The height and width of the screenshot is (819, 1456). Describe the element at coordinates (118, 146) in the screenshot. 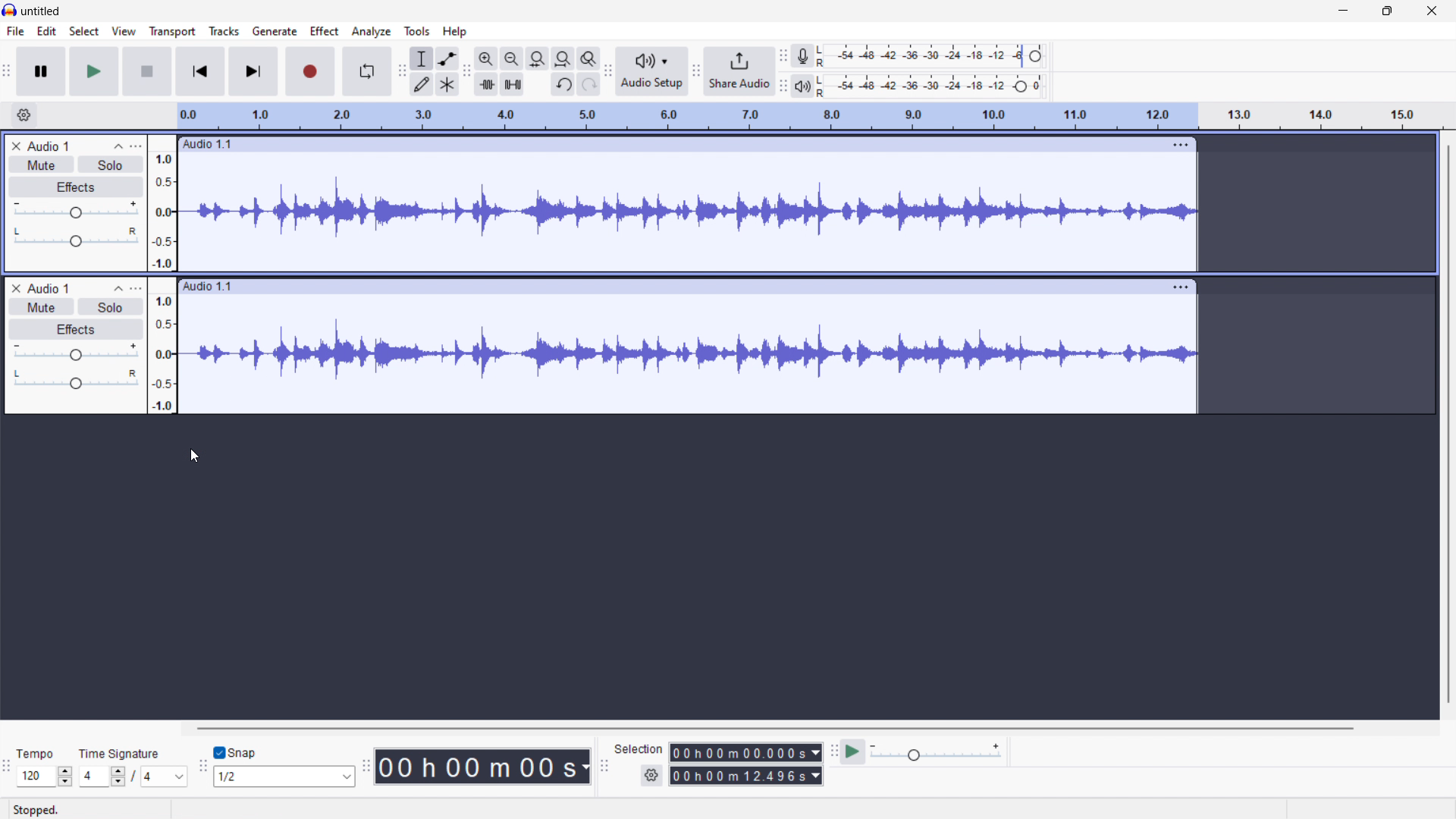

I see `collapse` at that location.